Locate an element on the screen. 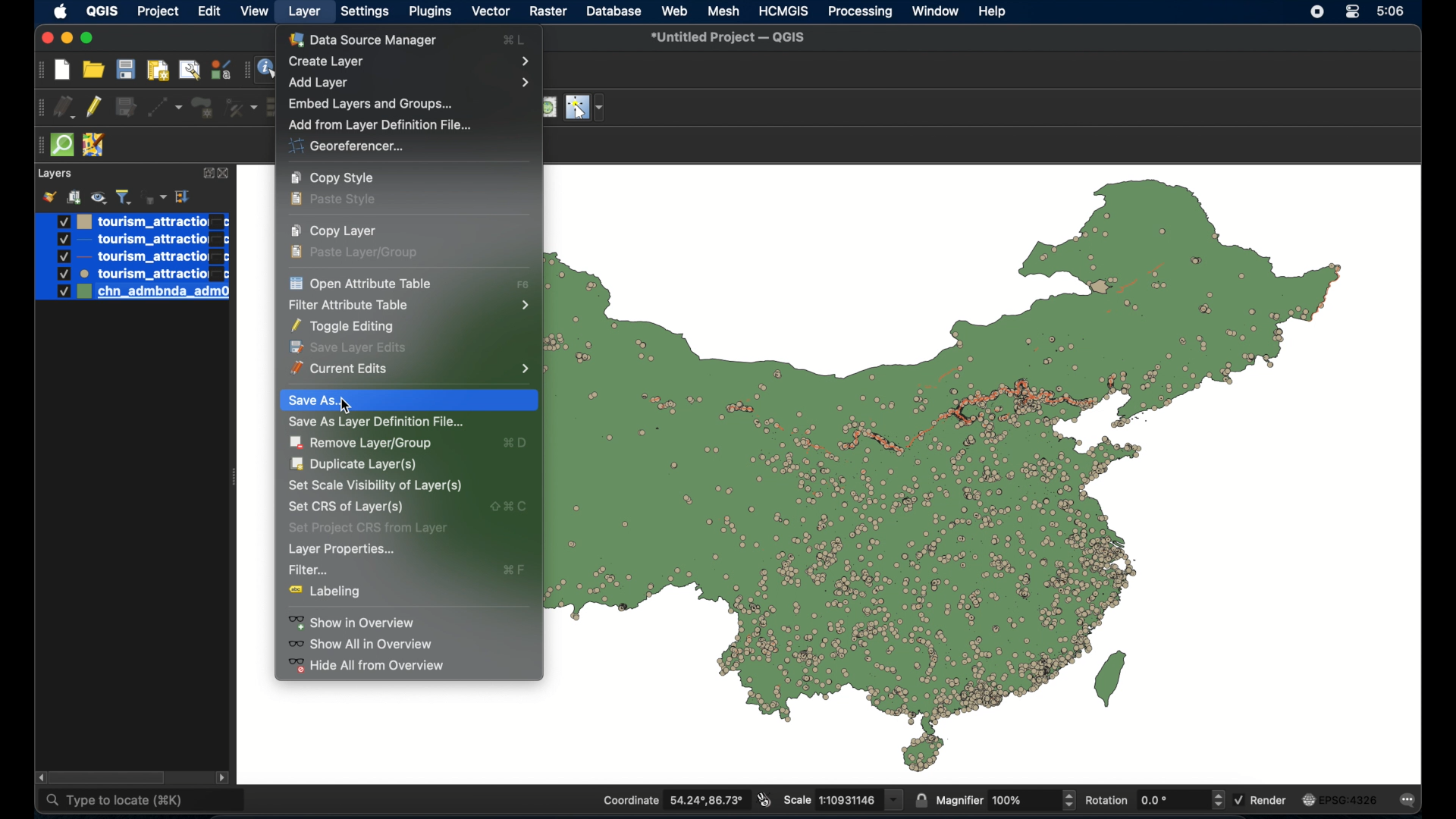  mesh is located at coordinates (723, 11).